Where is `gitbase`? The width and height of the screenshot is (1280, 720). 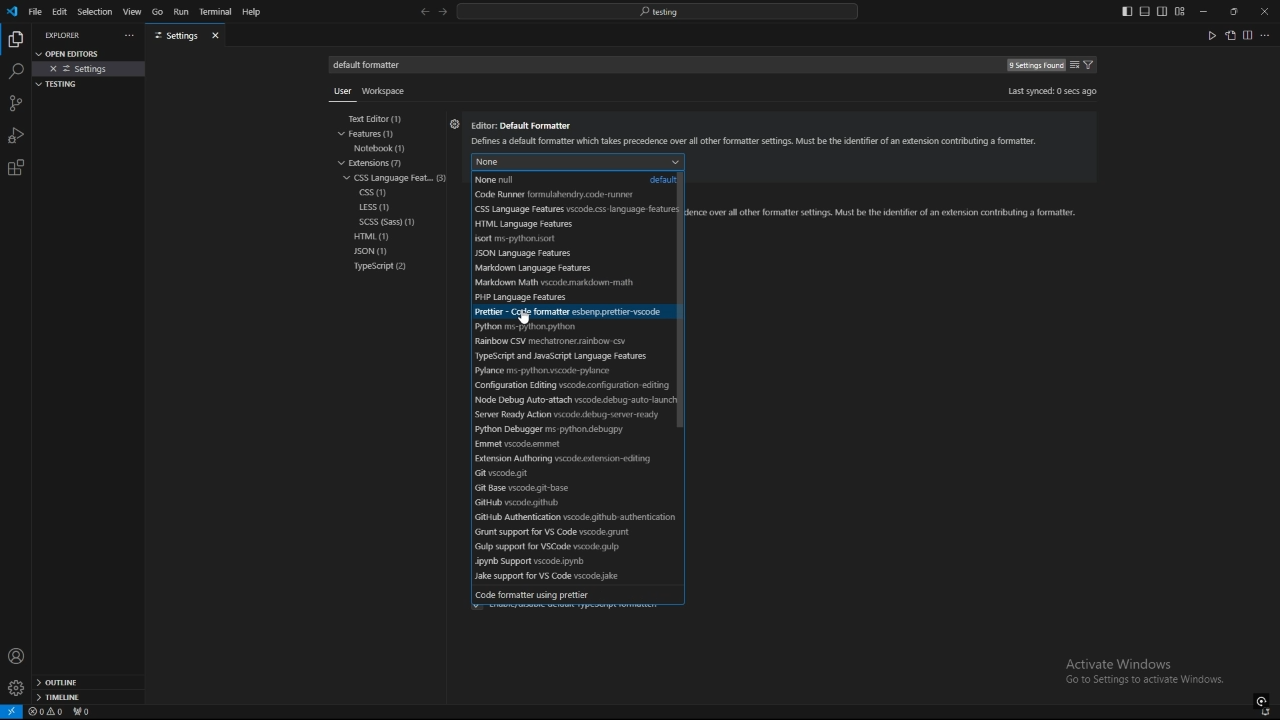 gitbase is located at coordinates (553, 487).